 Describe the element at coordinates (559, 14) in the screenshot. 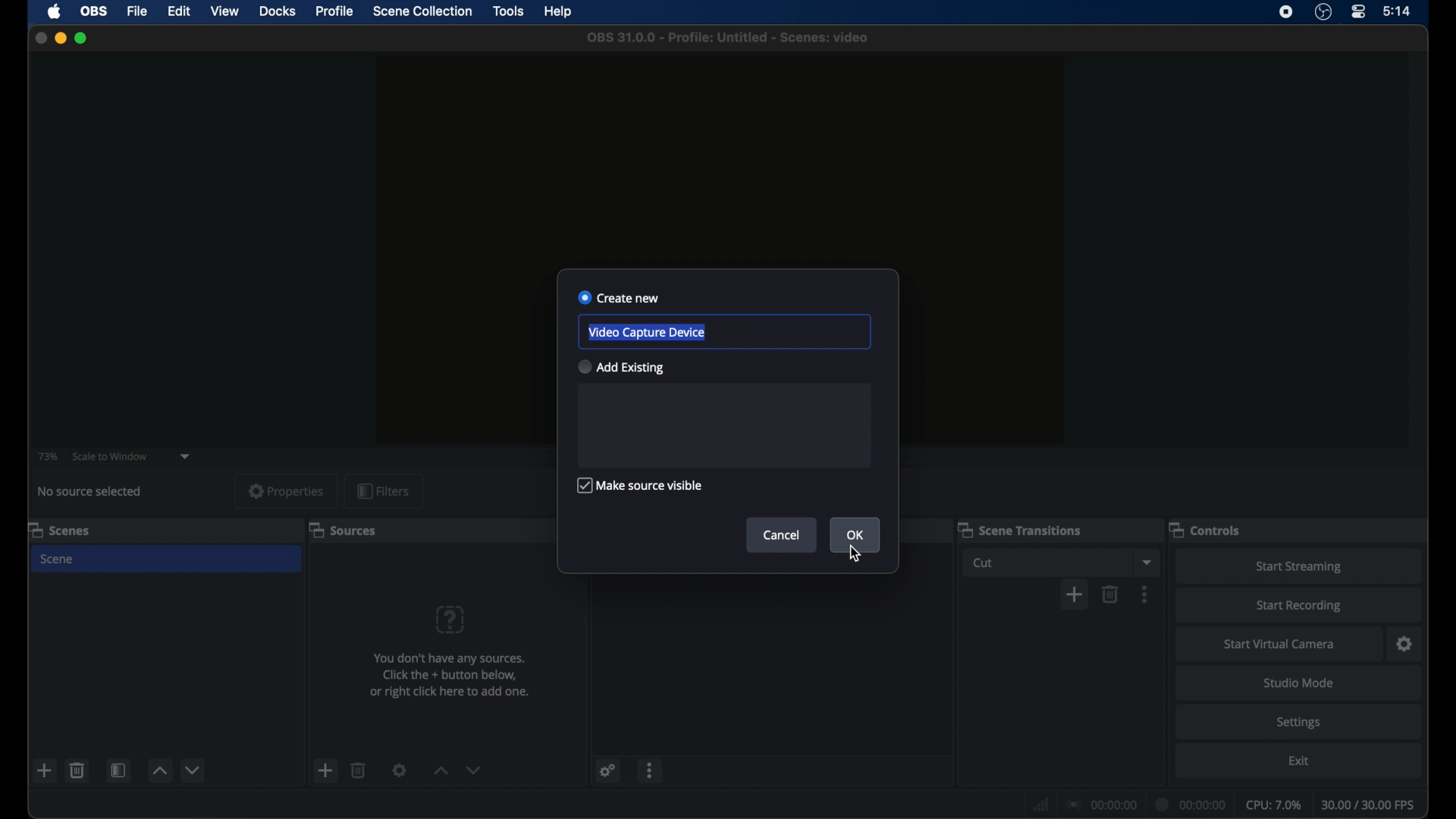

I see `help` at that location.